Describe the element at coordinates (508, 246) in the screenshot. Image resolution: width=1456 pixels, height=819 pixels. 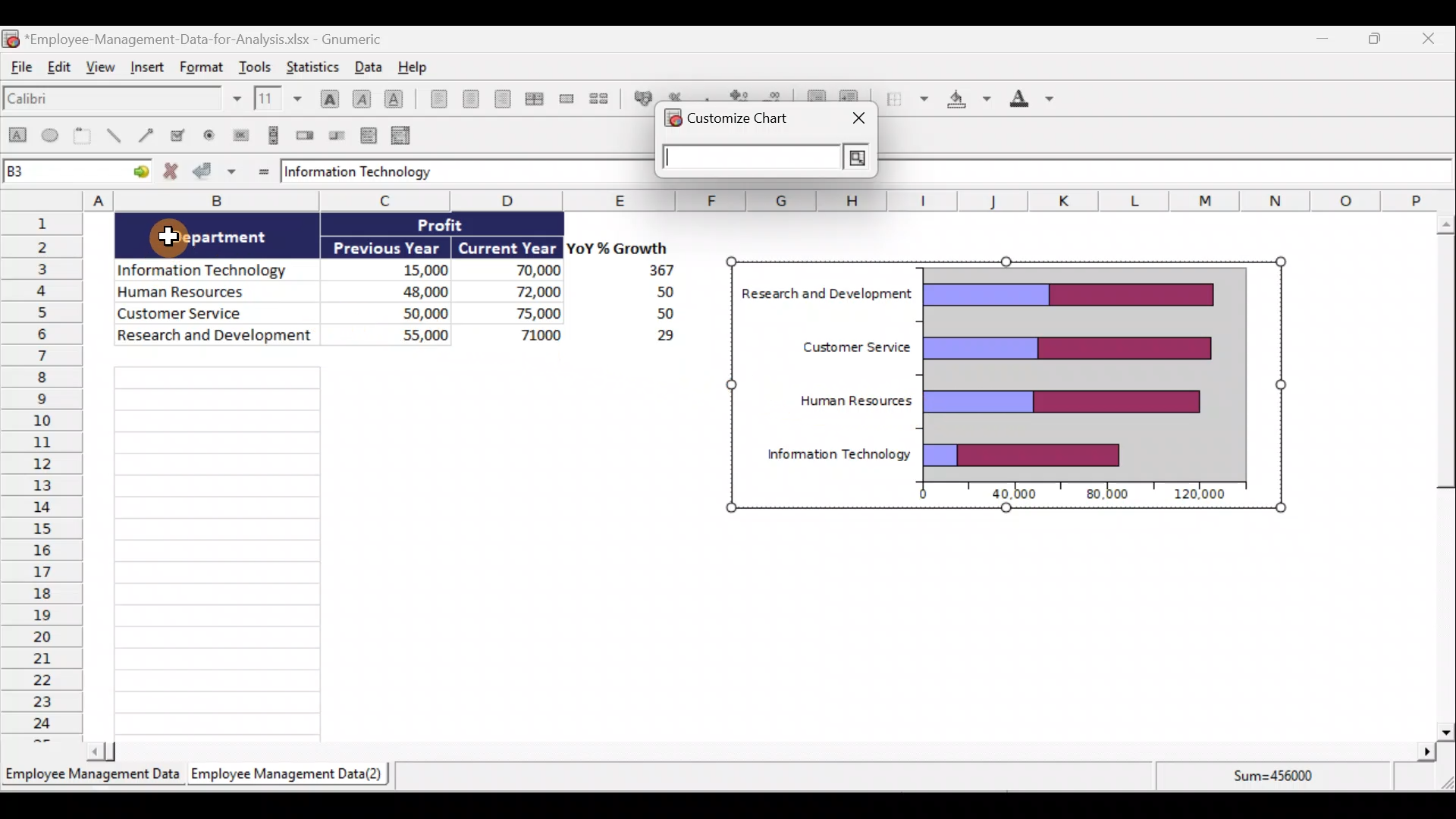
I see `Current Year` at that location.